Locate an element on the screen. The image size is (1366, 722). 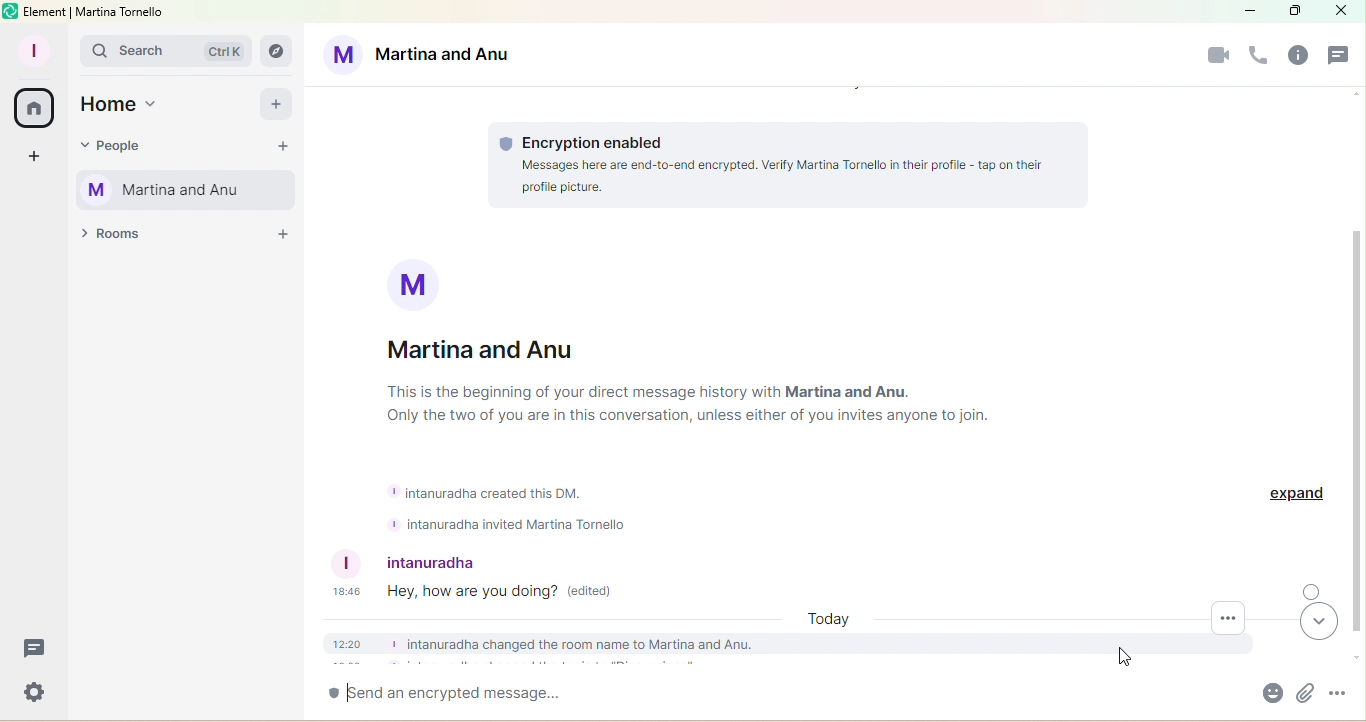
Threads is located at coordinates (1340, 57).